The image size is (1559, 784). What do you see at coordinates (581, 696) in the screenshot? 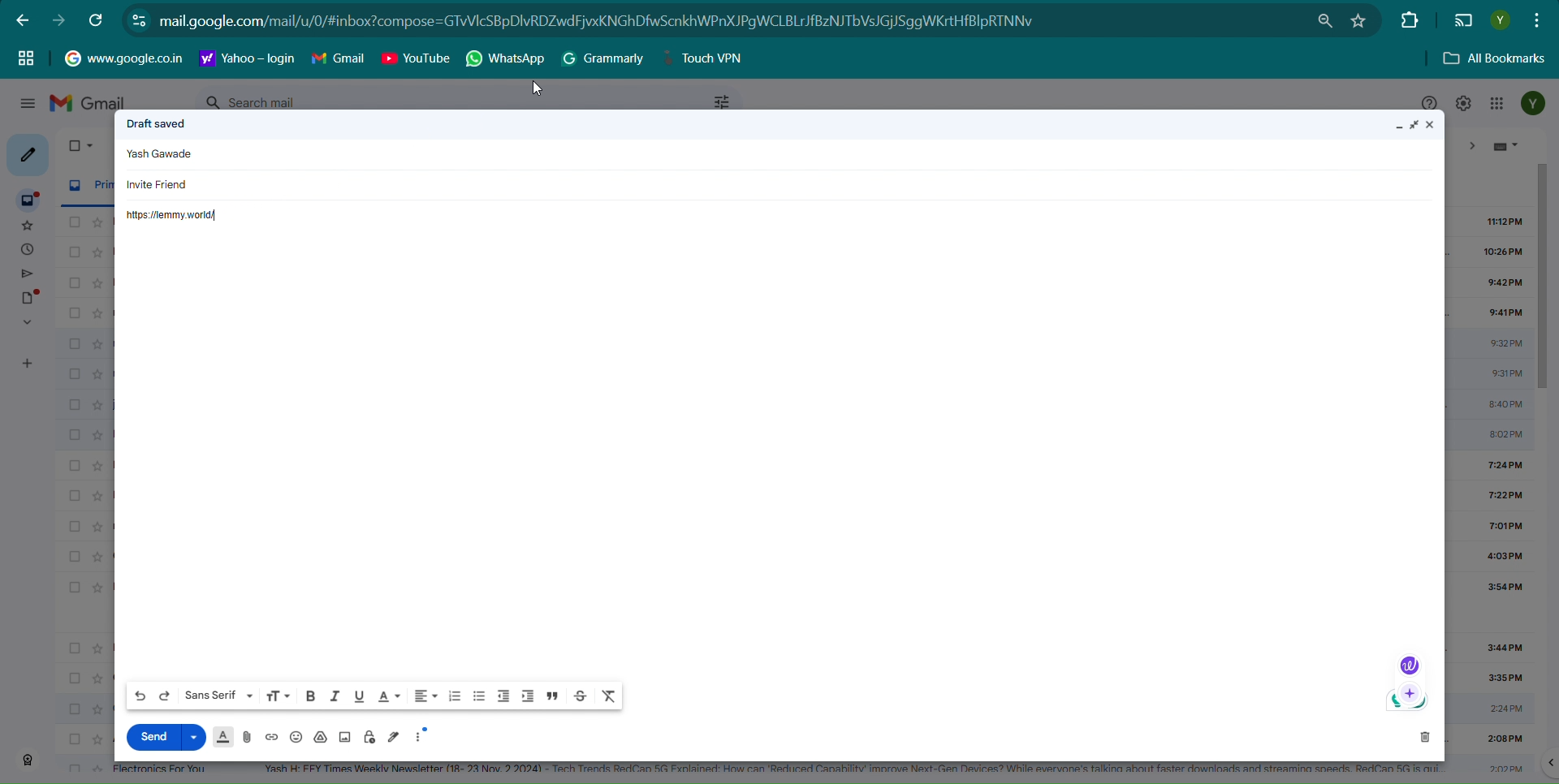
I see `Strikethrough` at bounding box center [581, 696].